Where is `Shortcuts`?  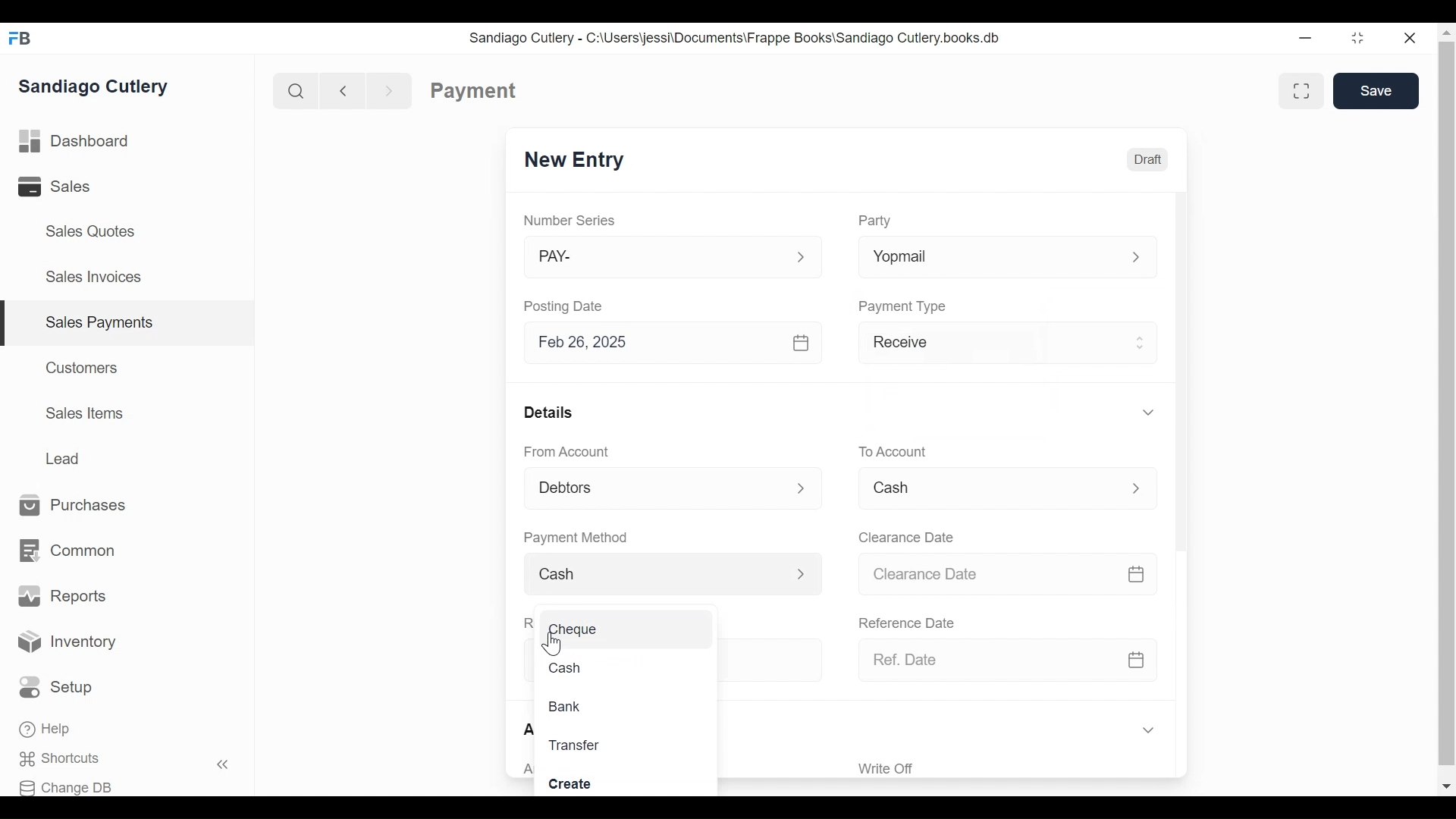
Shortcuts is located at coordinates (69, 759).